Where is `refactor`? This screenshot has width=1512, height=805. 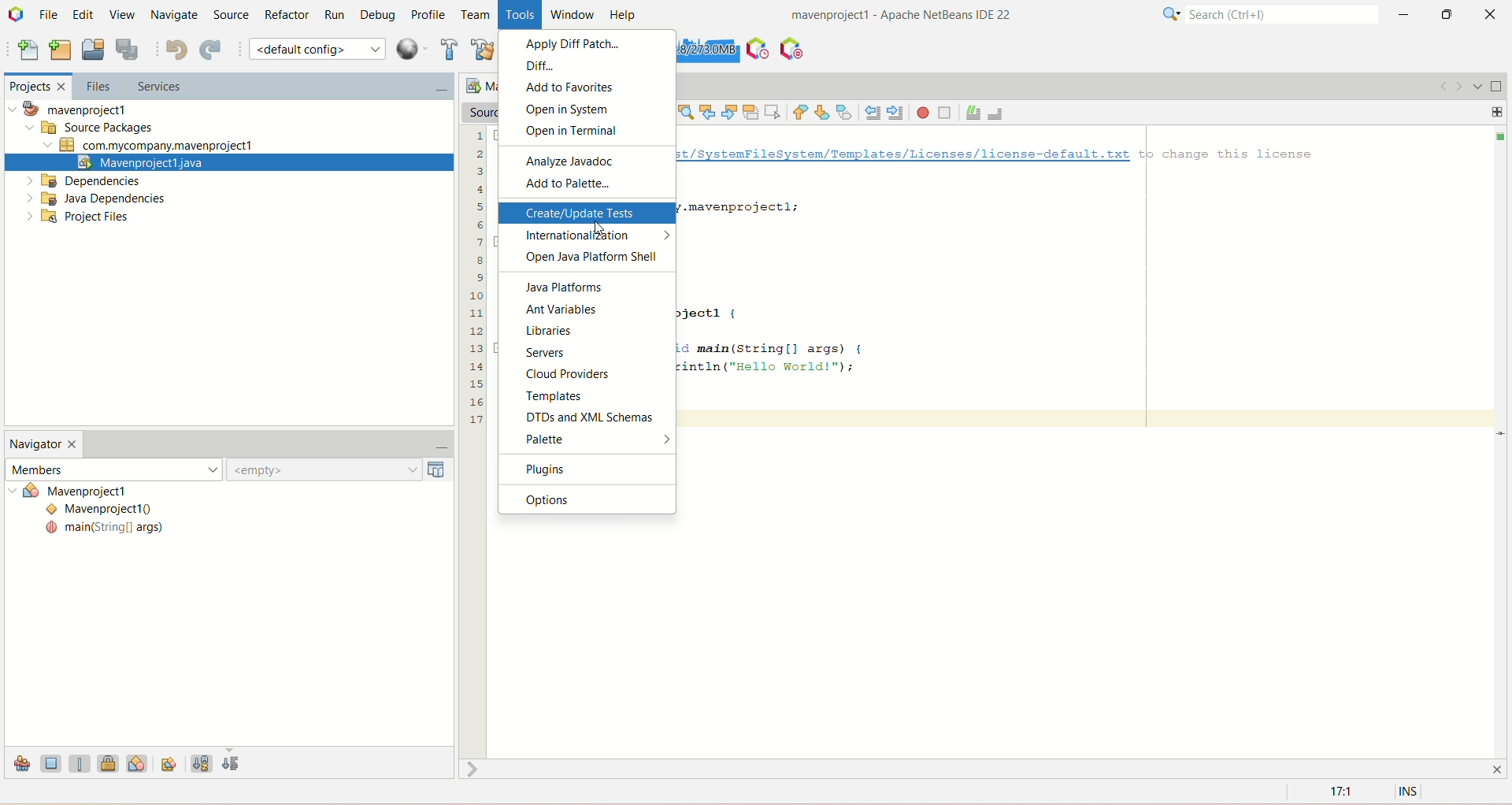
refactor is located at coordinates (287, 15).